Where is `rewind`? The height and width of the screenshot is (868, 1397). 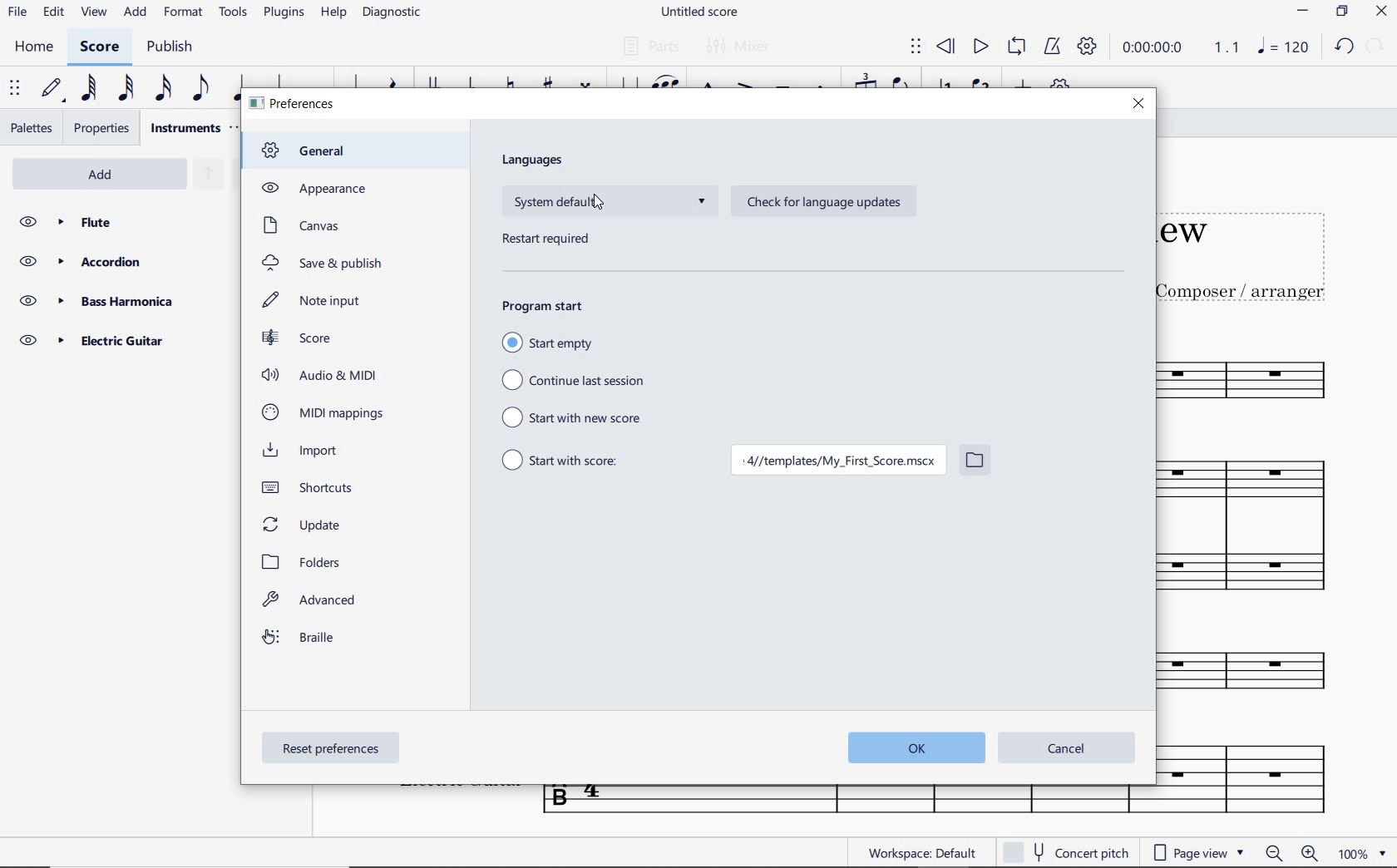 rewind is located at coordinates (945, 46).